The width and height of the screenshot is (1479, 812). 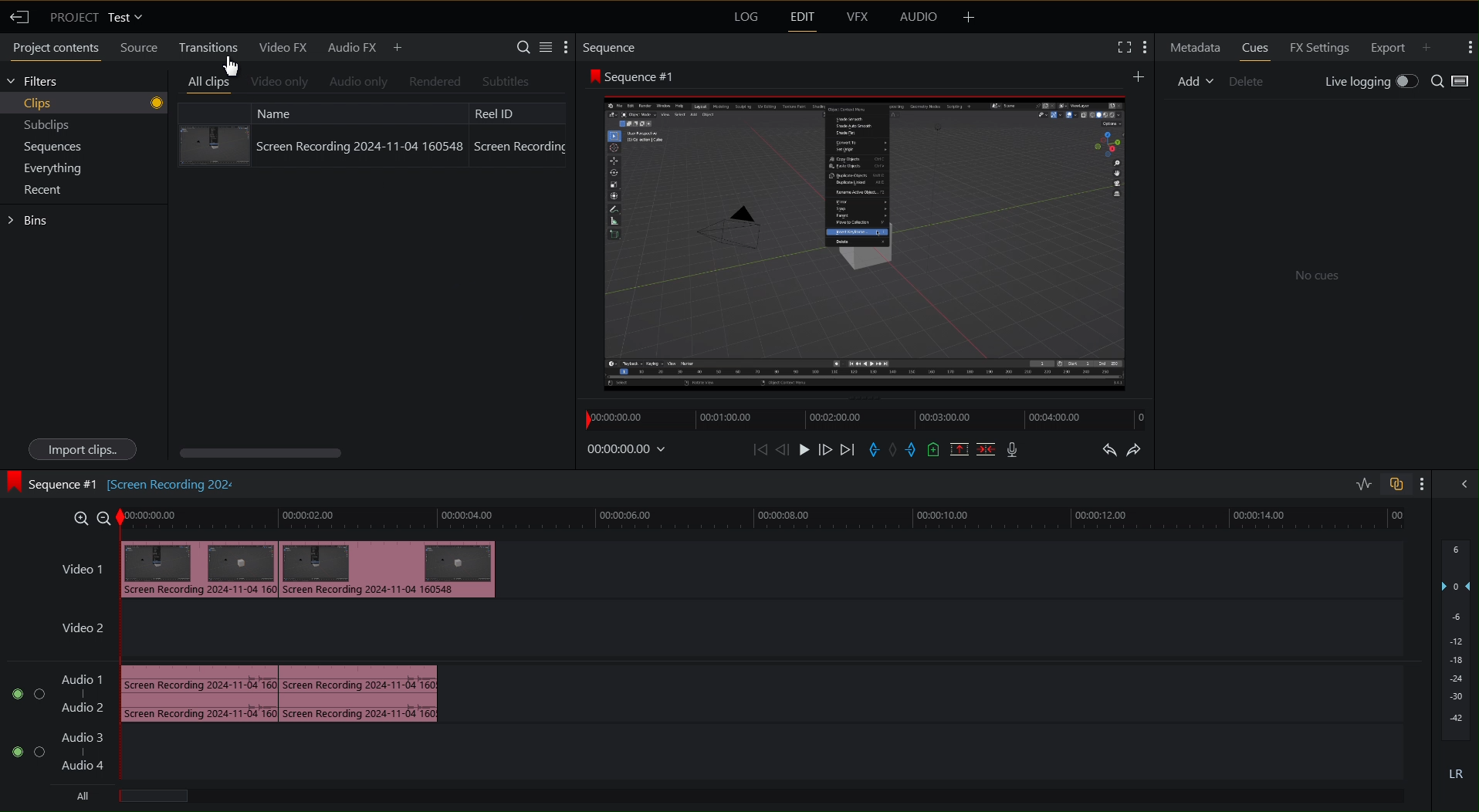 What do you see at coordinates (208, 137) in the screenshot?
I see `Clip` at bounding box center [208, 137].